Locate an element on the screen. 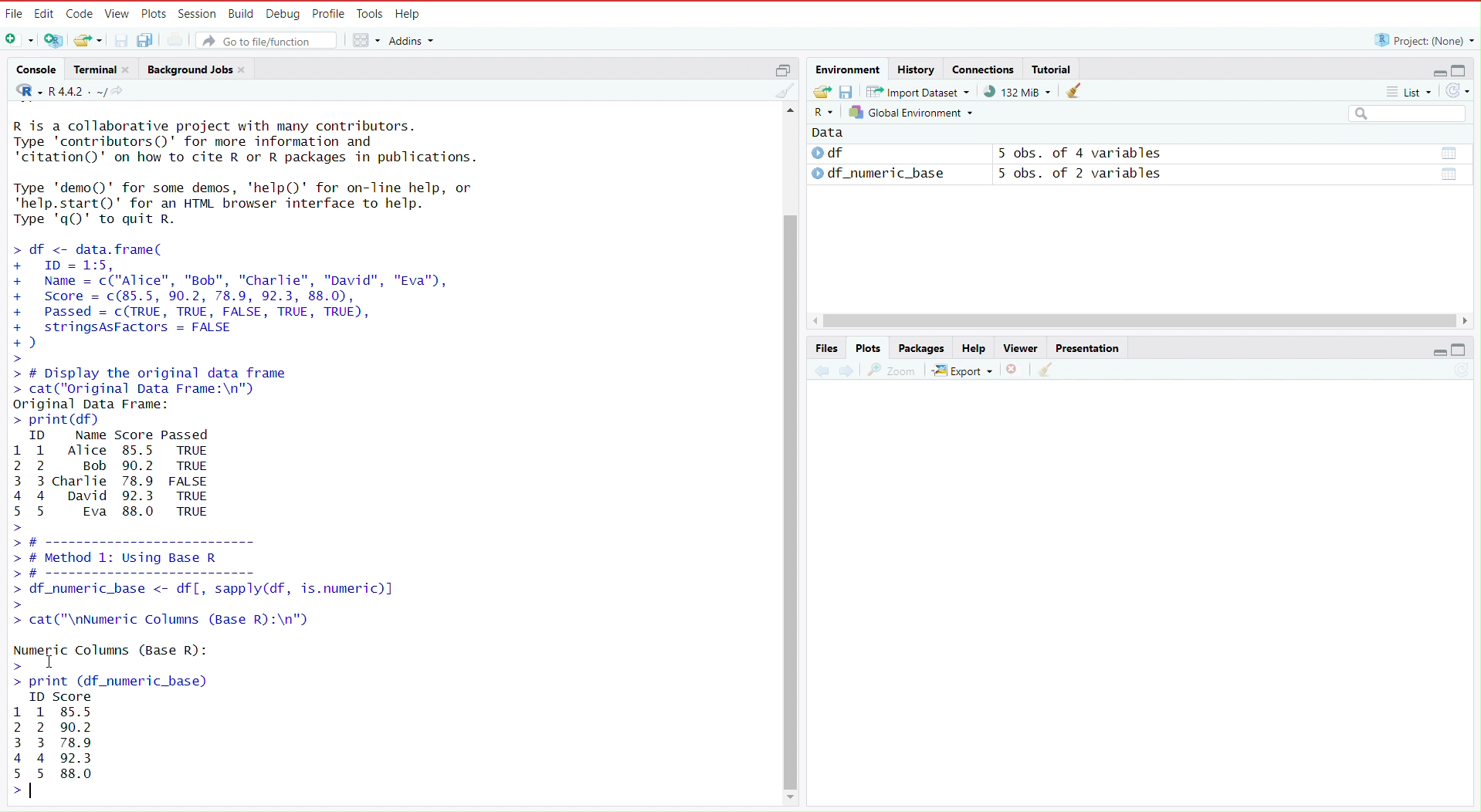 The height and width of the screenshot is (812, 1481). history is located at coordinates (917, 68).